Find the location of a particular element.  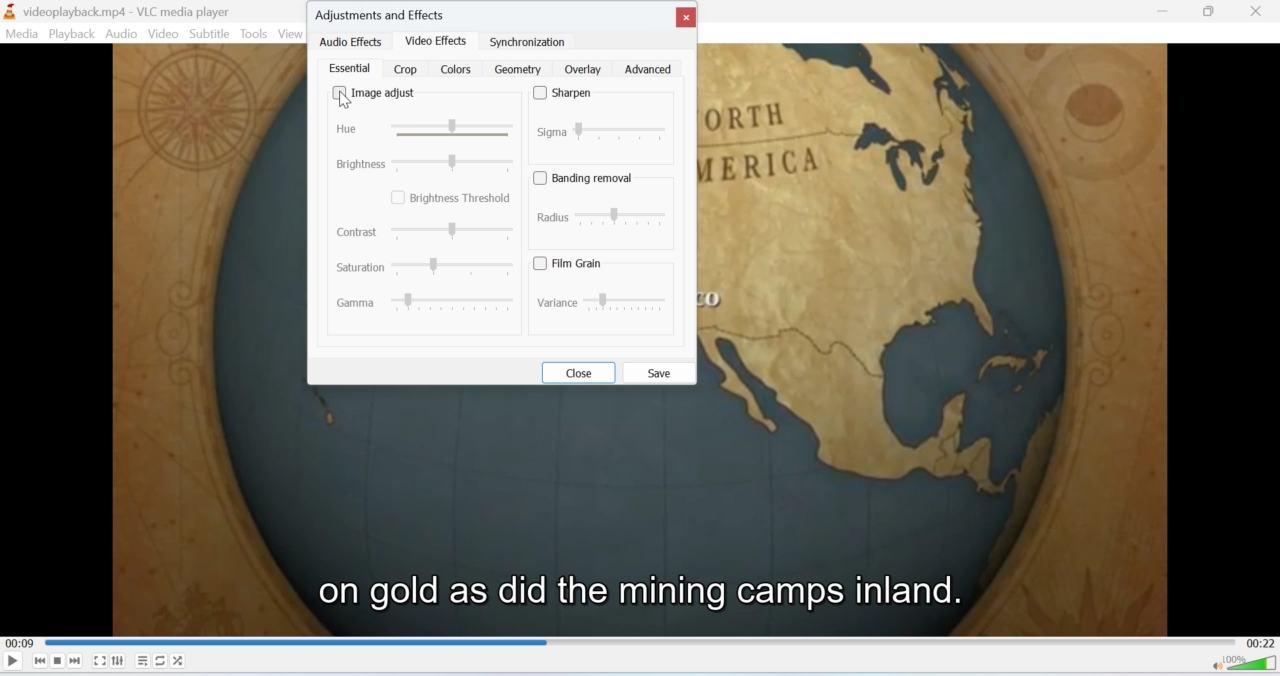

Video is located at coordinates (165, 34).